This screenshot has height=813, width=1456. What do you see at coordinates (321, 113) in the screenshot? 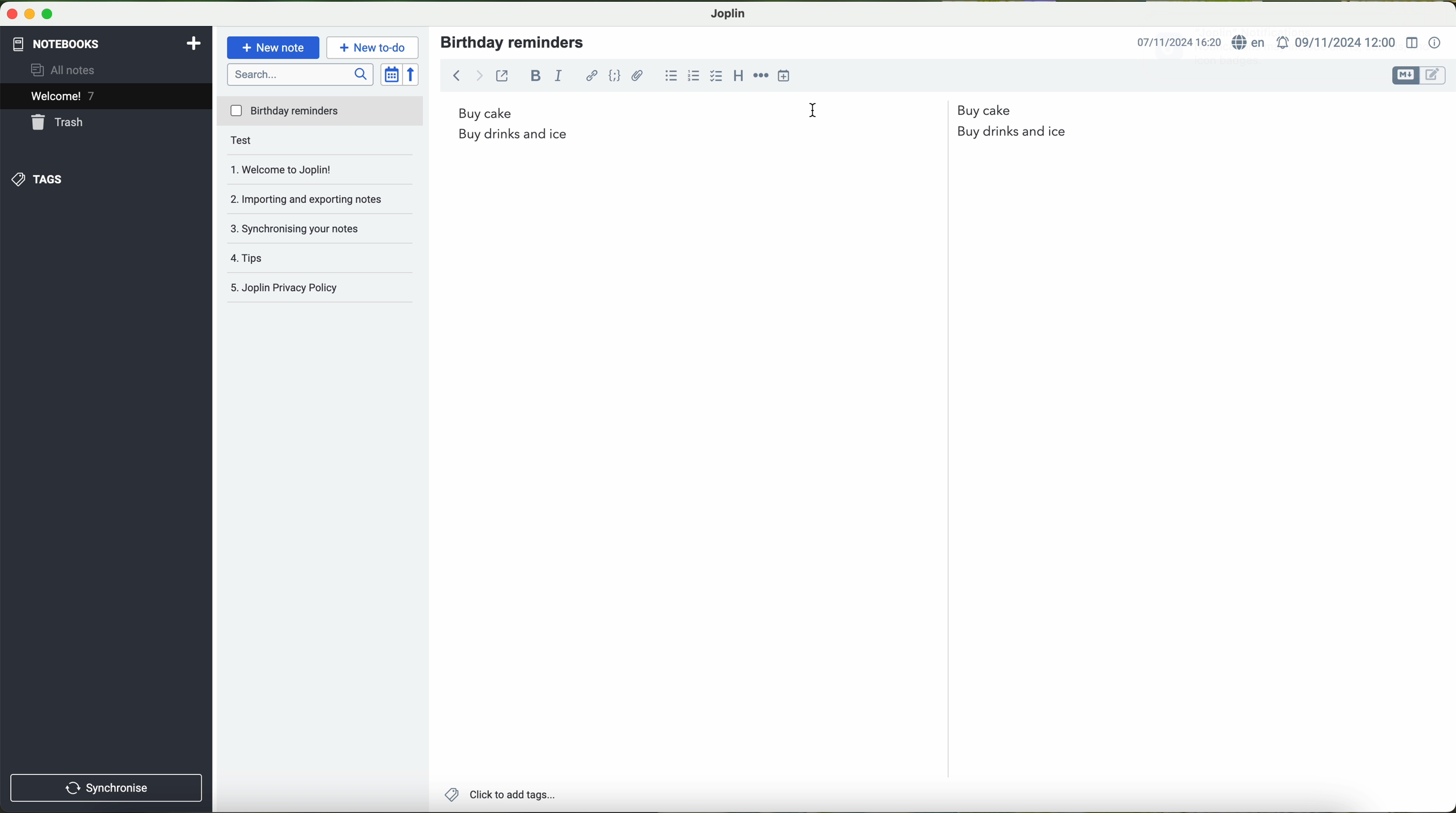
I see `birthday reminders file` at bounding box center [321, 113].